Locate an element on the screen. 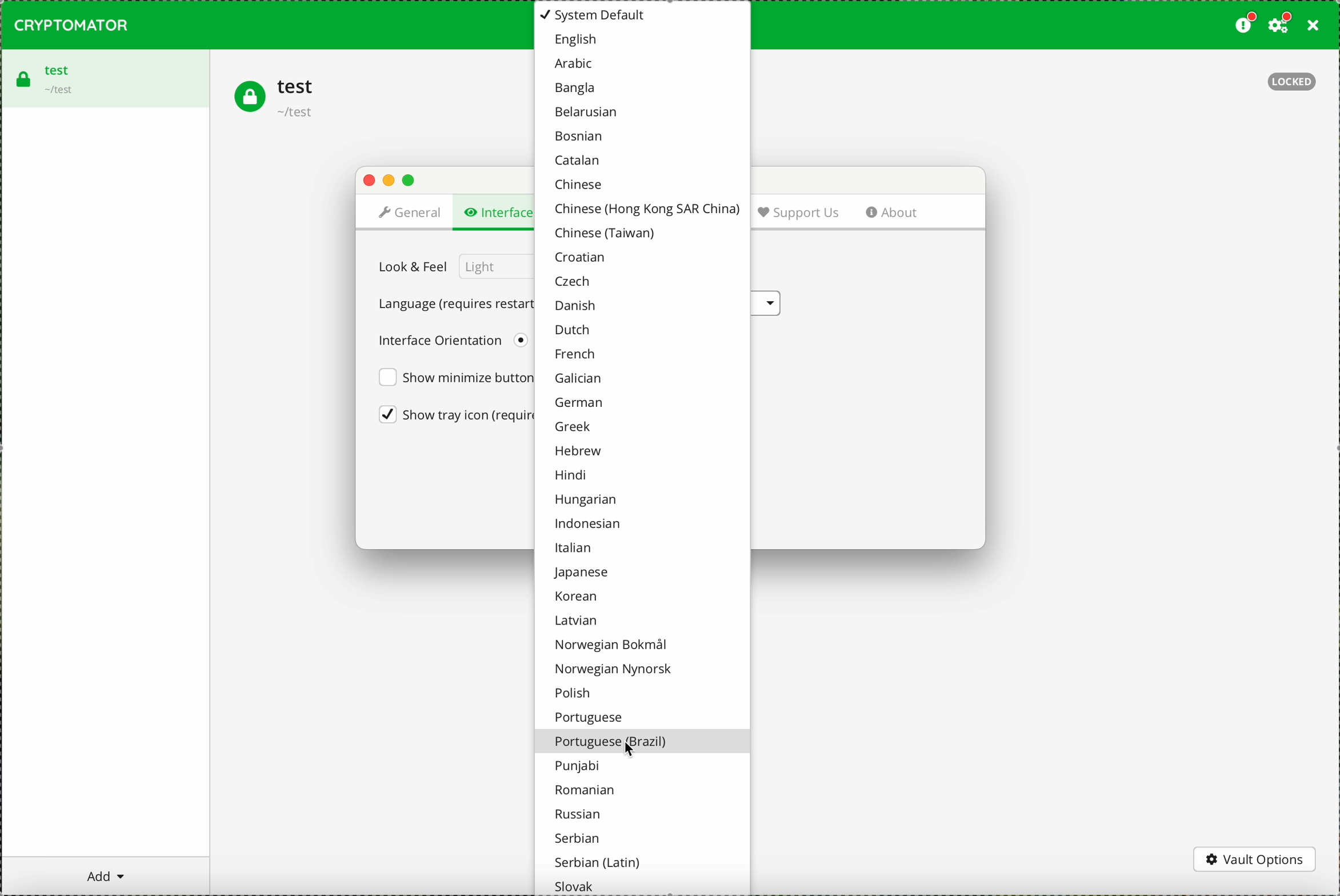 The height and width of the screenshot is (896, 1340). croatian is located at coordinates (587, 260).